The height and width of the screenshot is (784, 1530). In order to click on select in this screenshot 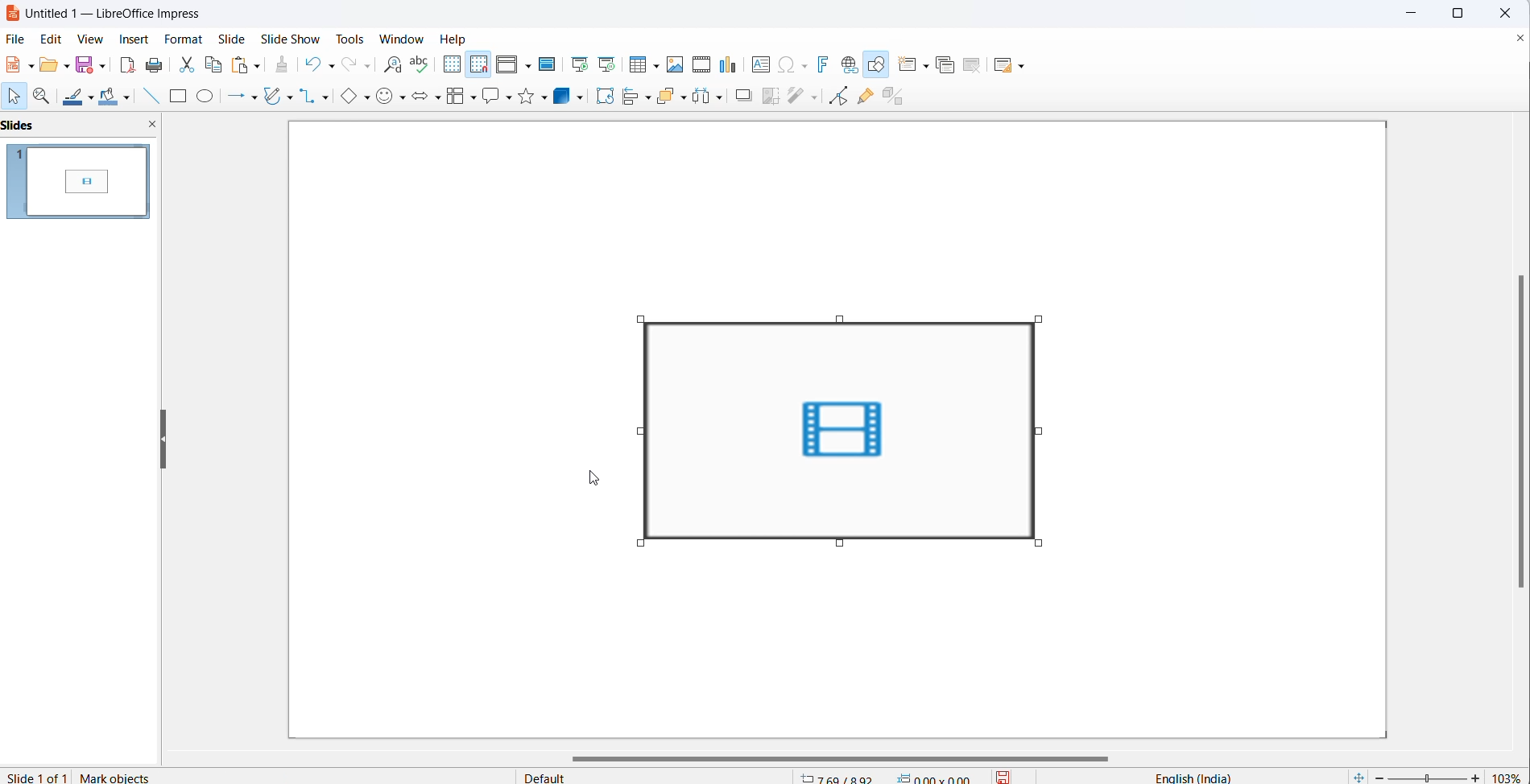, I will do `click(16, 97)`.